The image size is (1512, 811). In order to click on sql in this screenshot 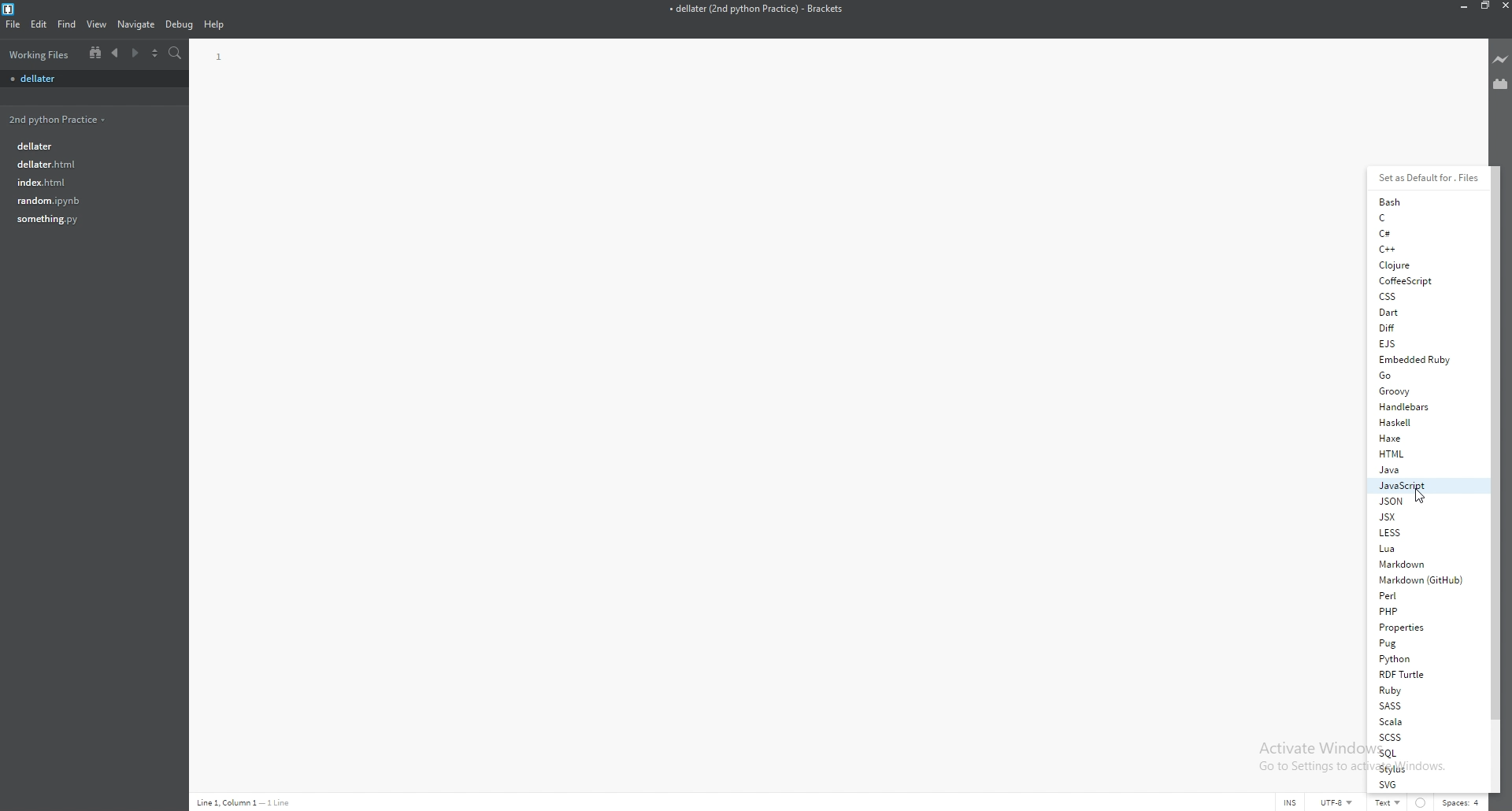, I will do `click(1418, 753)`.